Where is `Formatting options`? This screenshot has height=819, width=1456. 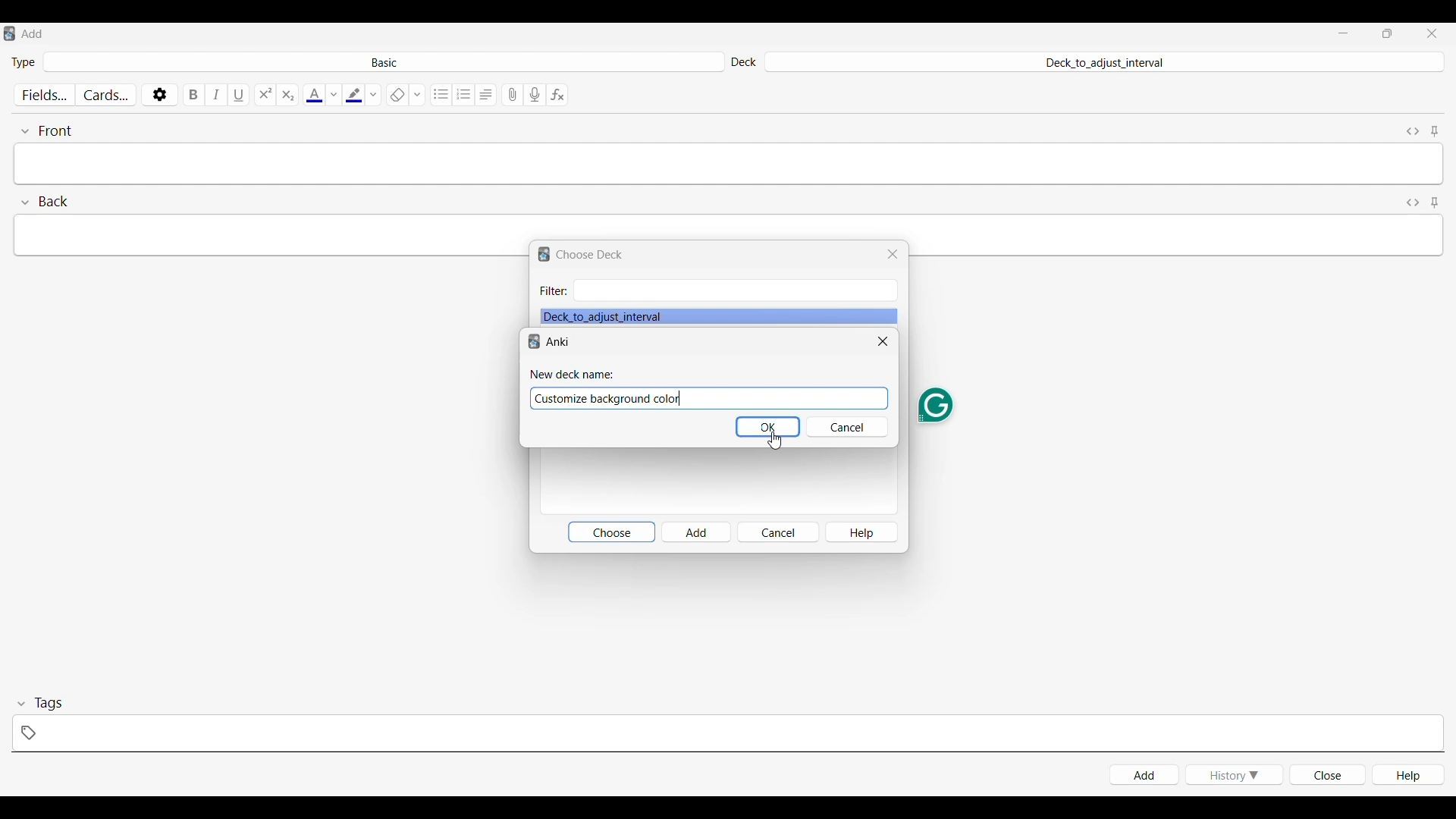 Formatting options is located at coordinates (417, 94).